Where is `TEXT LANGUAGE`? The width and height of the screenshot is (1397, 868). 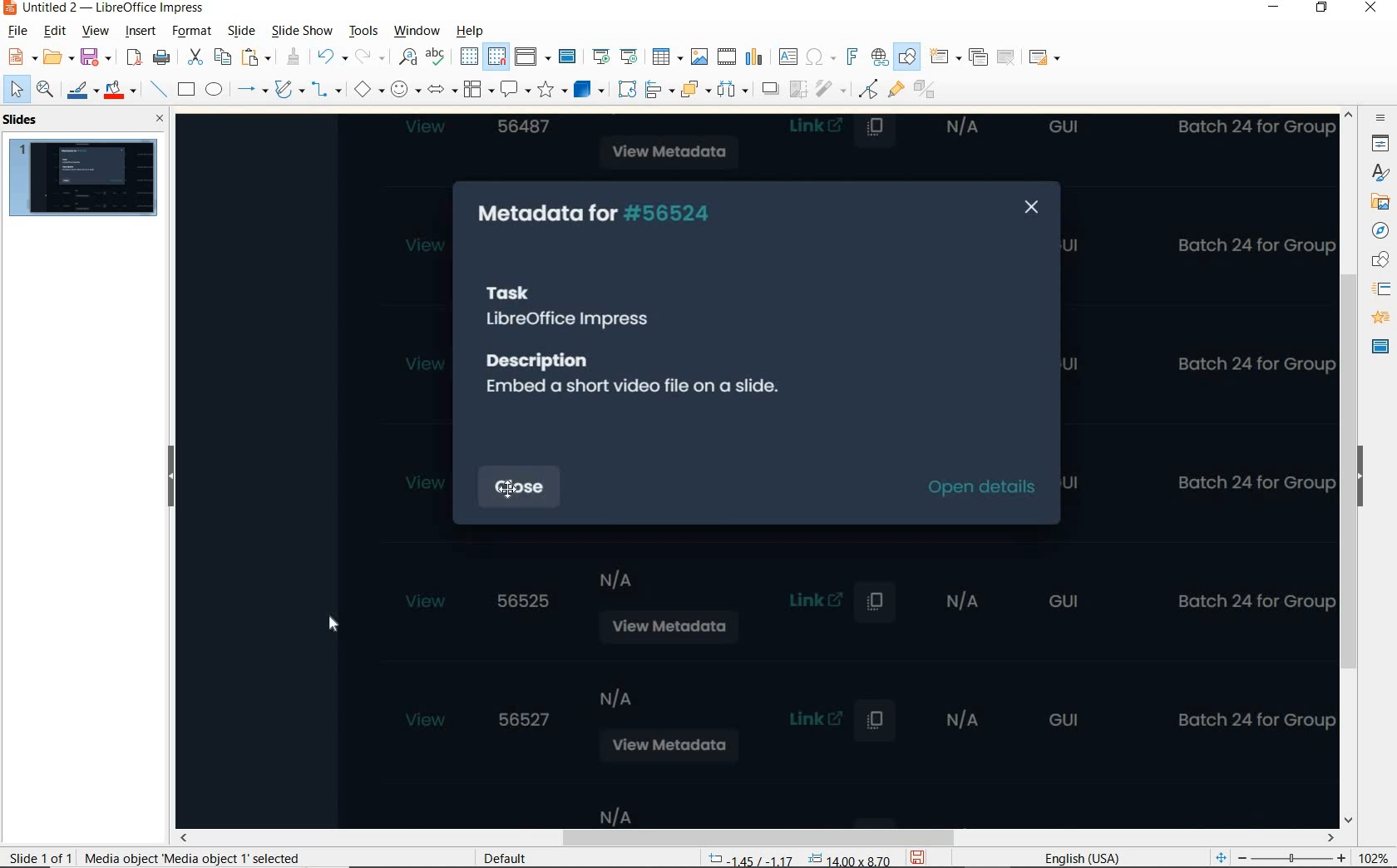
TEXT LANGUAGE is located at coordinates (1087, 855).